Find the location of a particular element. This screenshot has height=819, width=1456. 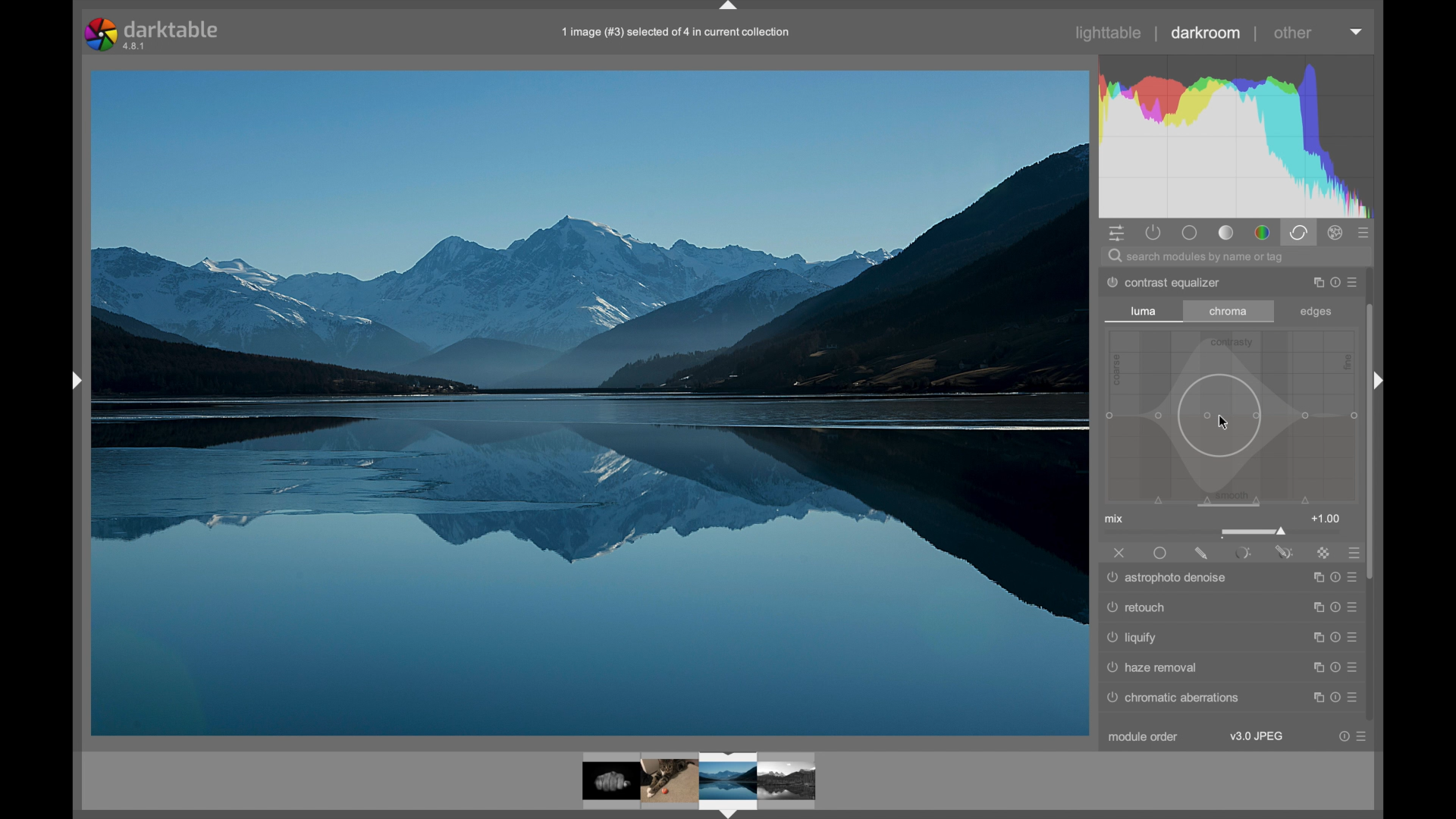

more options is located at coordinates (1332, 579).